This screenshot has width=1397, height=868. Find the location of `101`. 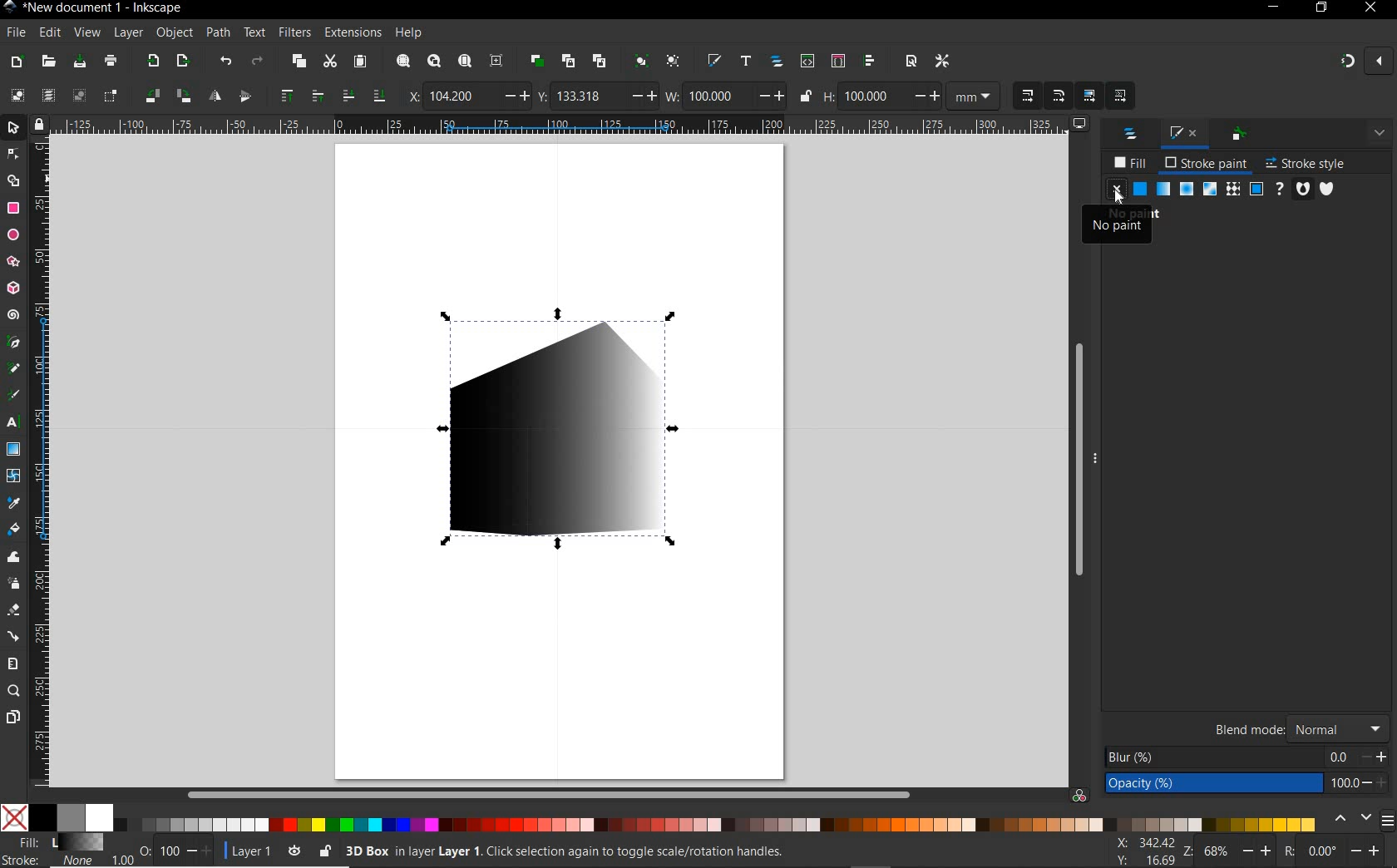

101 is located at coordinates (714, 96).